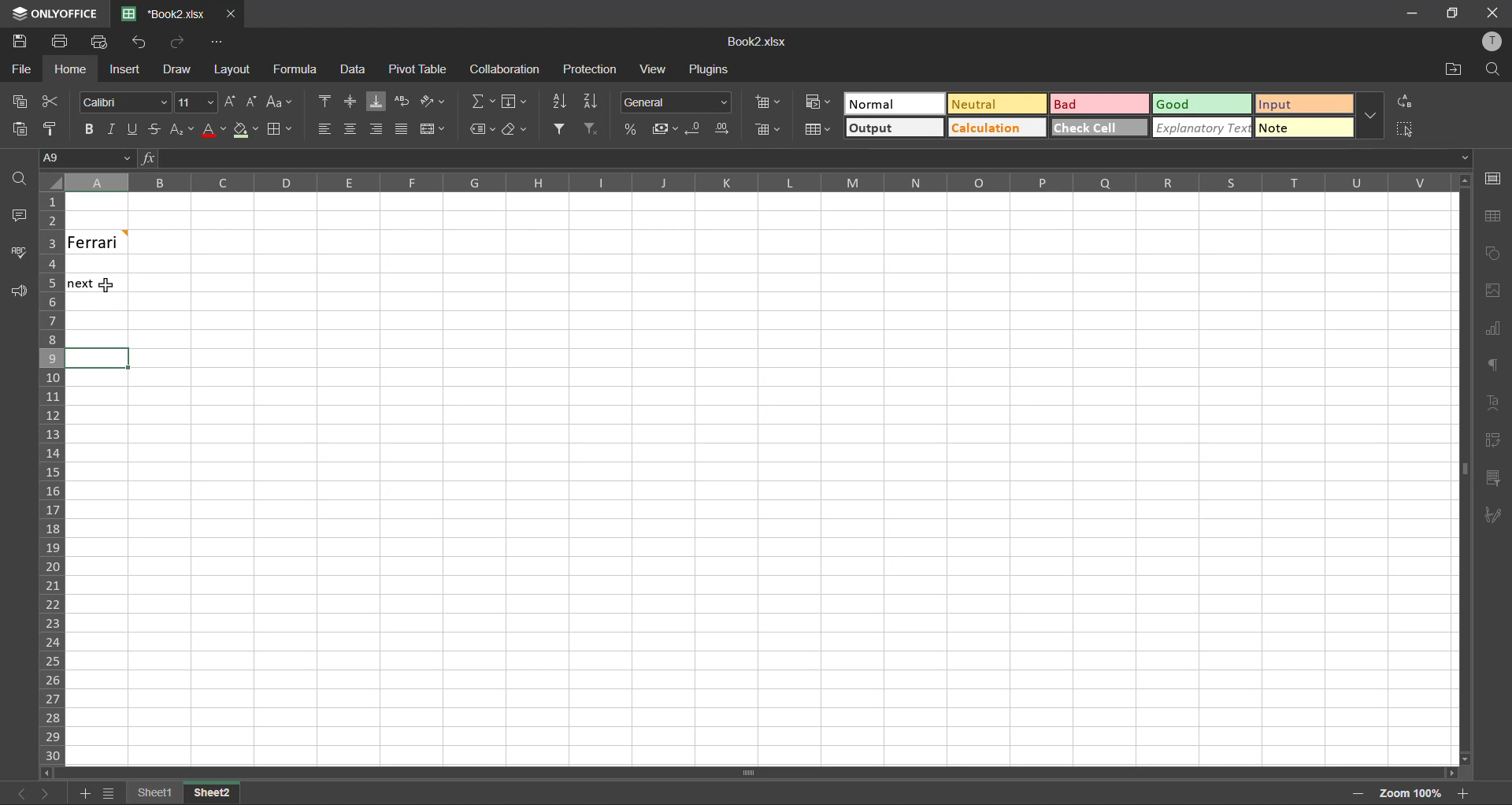 This screenshot has width=1512, height=805. I want to click on undo, so click(138, 43).